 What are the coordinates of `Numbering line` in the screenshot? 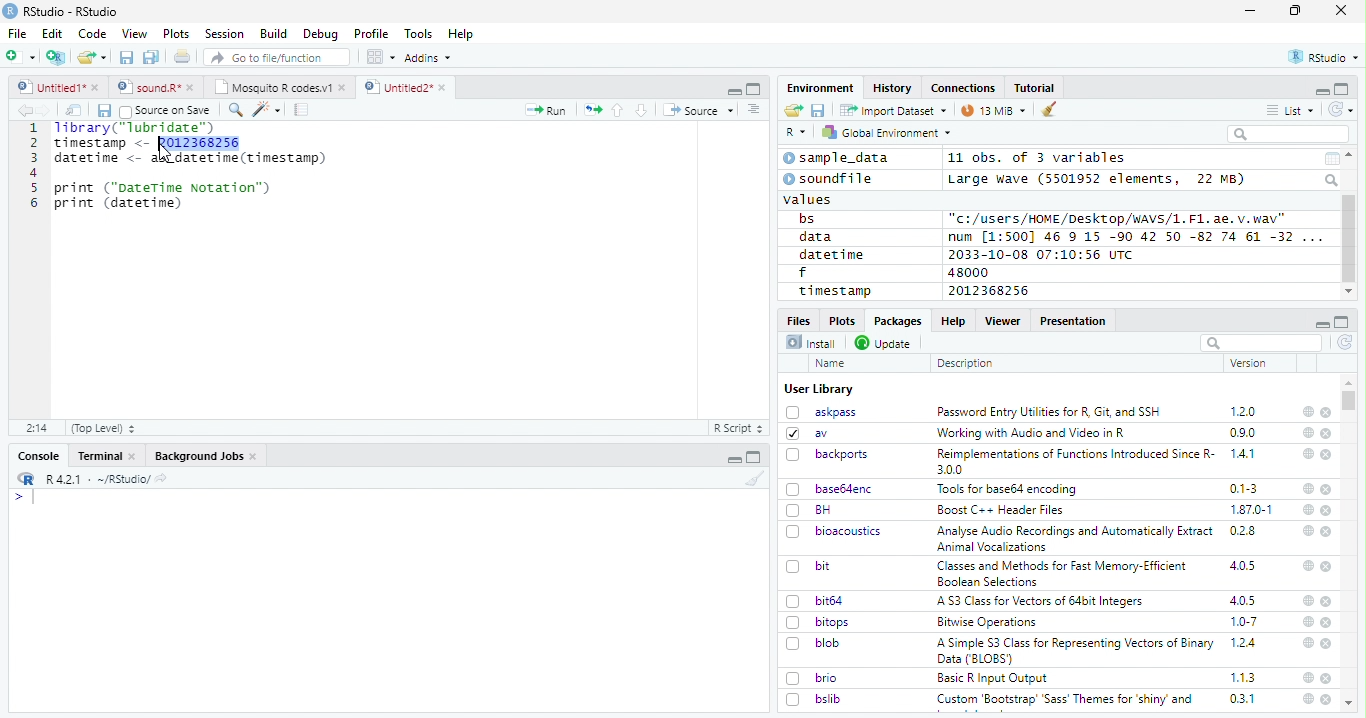 It's located at (32, 167).